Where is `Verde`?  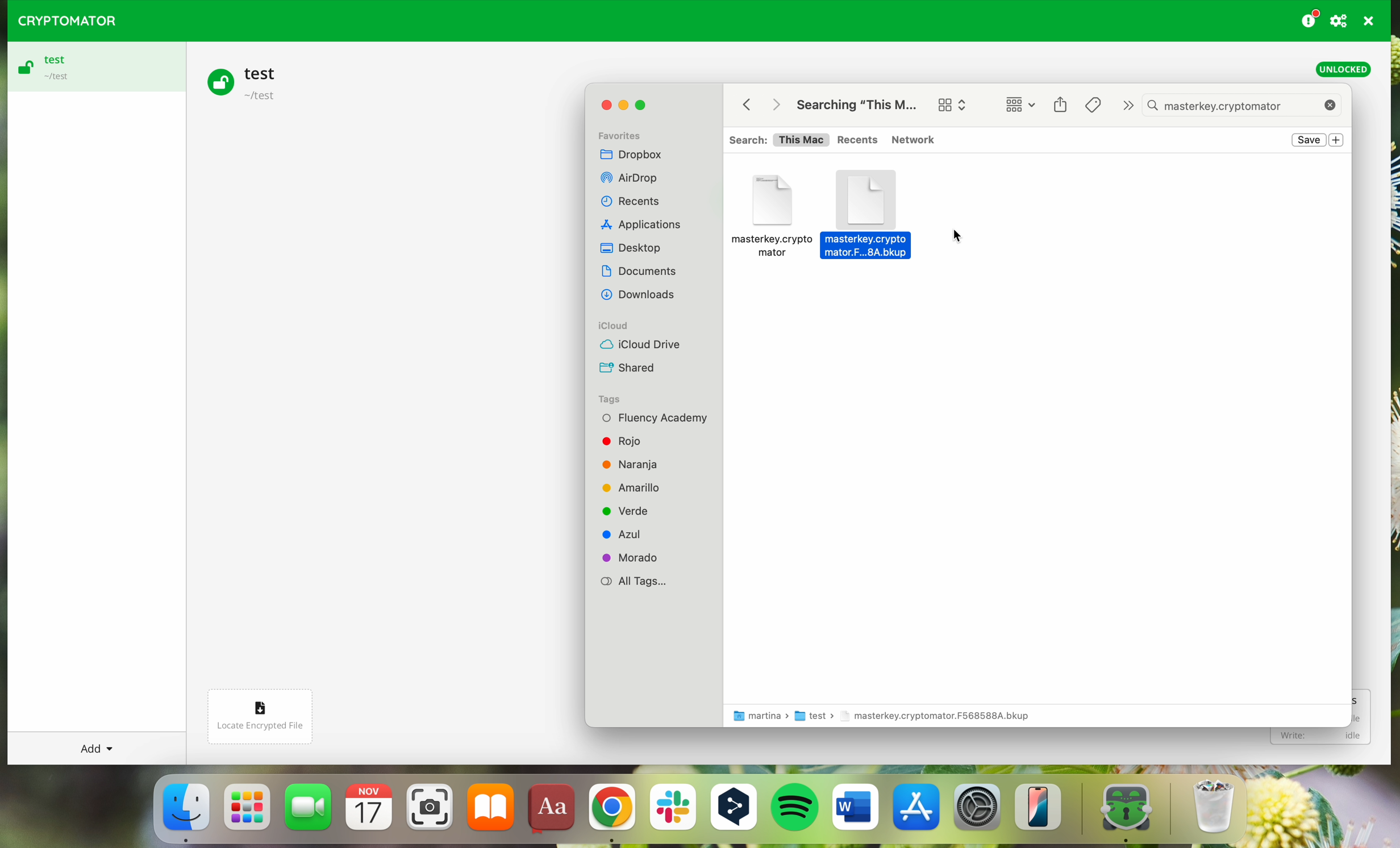 Verde is located at coordinates (630, 510).